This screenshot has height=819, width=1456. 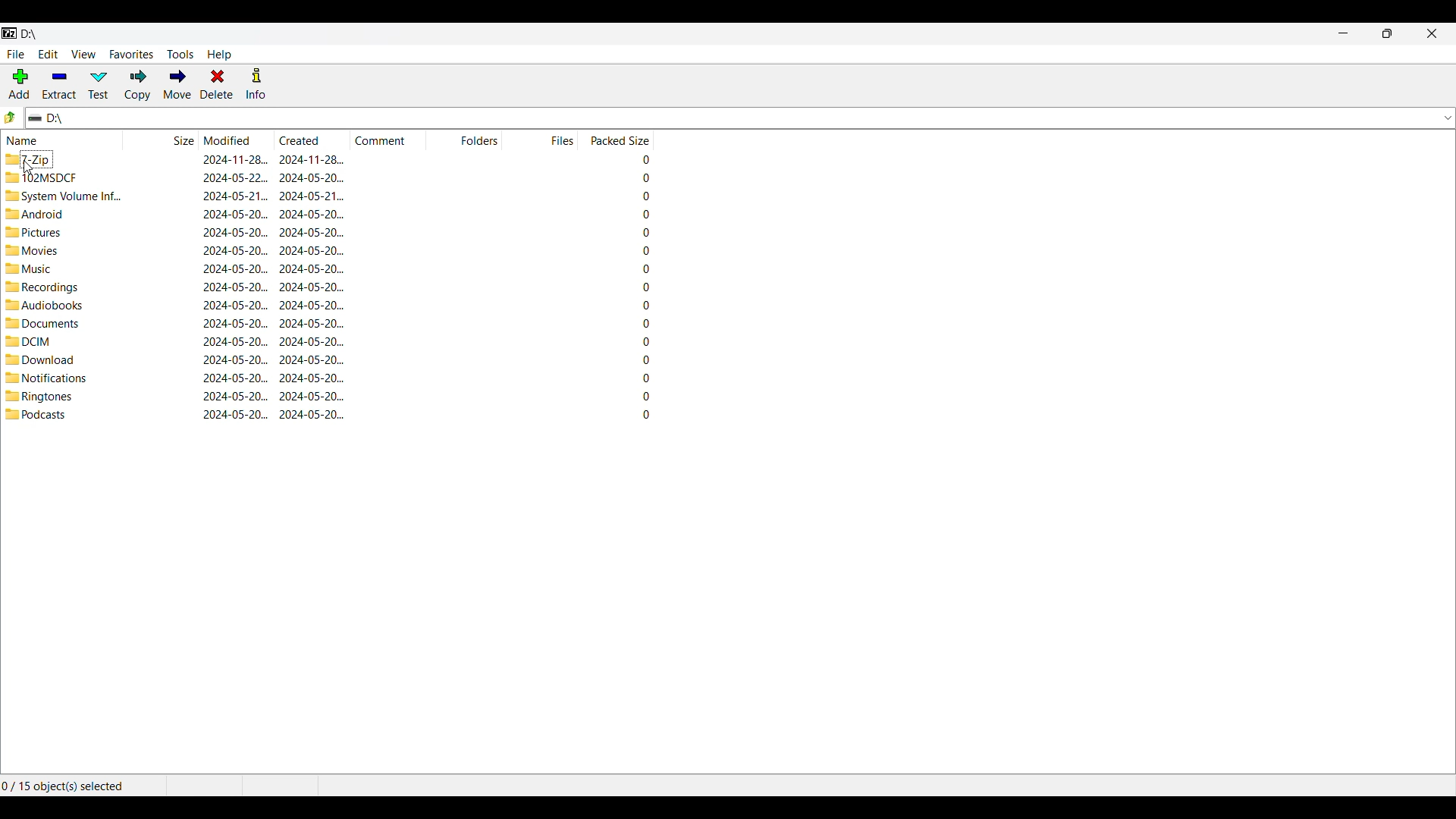 I want to click on Info, so click(x=256, y=83).